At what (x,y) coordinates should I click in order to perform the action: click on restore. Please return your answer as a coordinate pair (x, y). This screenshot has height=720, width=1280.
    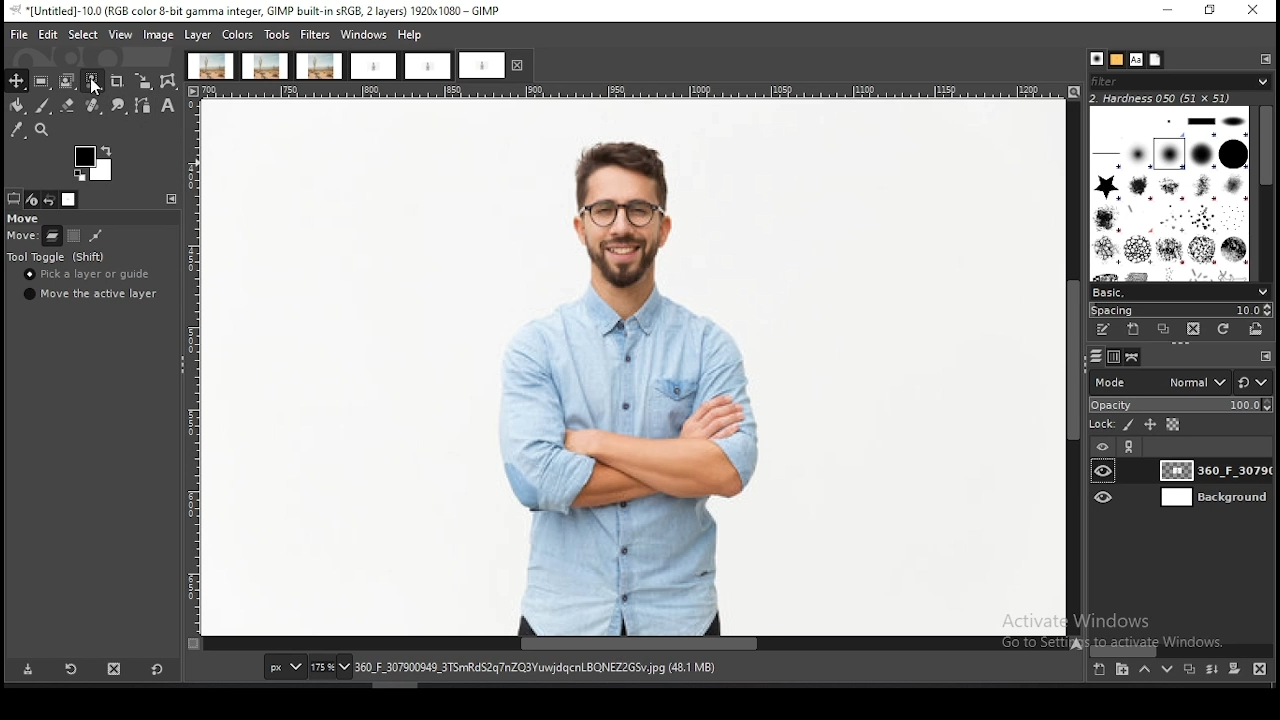
    Looking at the image, I should click on (1212, 12).